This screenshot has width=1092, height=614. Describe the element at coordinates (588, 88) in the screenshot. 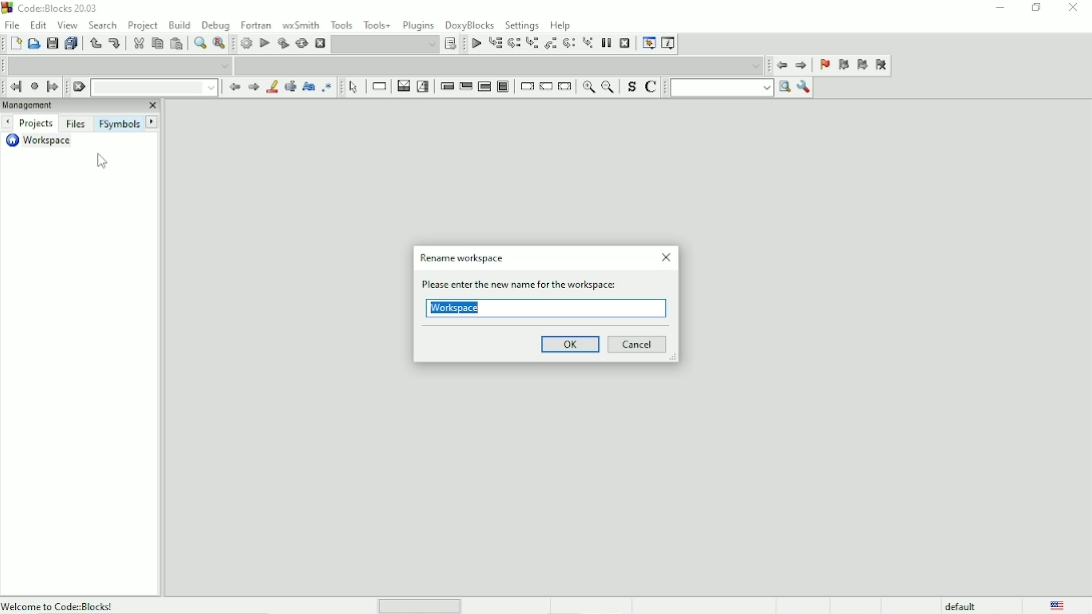

I see `Zoom in` at that location.